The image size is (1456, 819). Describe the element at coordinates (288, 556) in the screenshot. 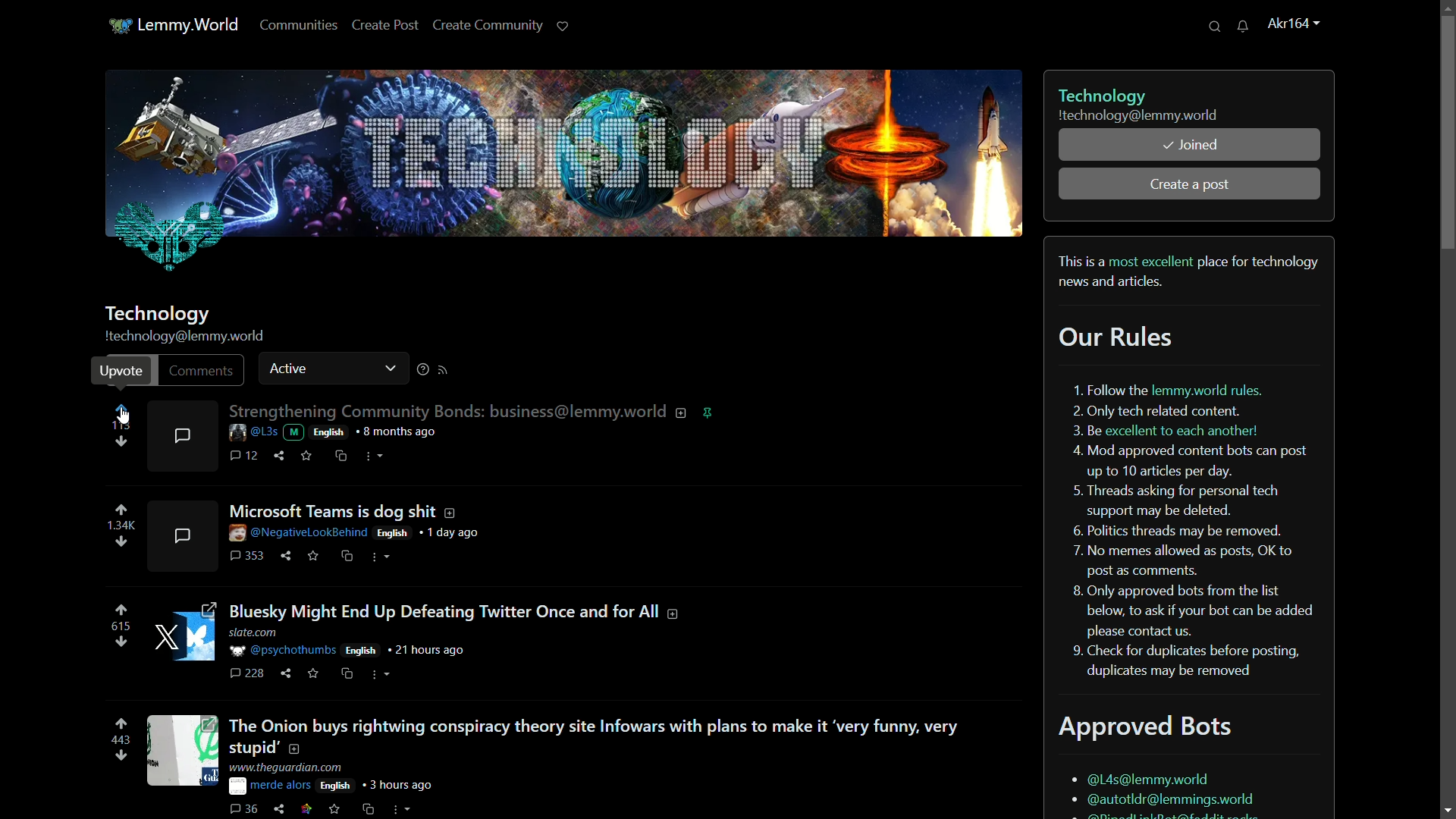

I see `share` at that location.